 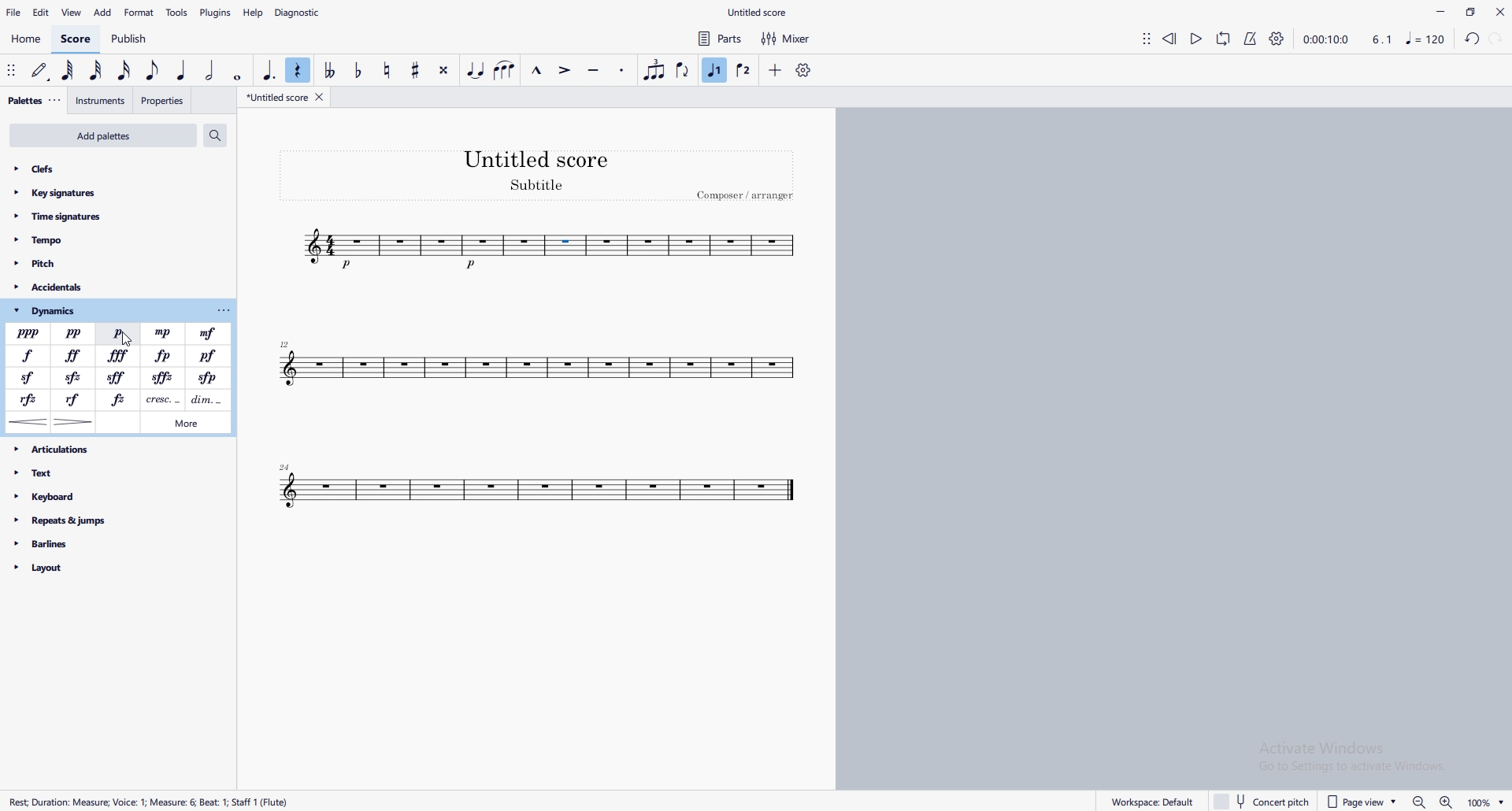 What do you see at coordinates (102, 476) in the screenshot?
I see `text` at bounding box center [102, 476].